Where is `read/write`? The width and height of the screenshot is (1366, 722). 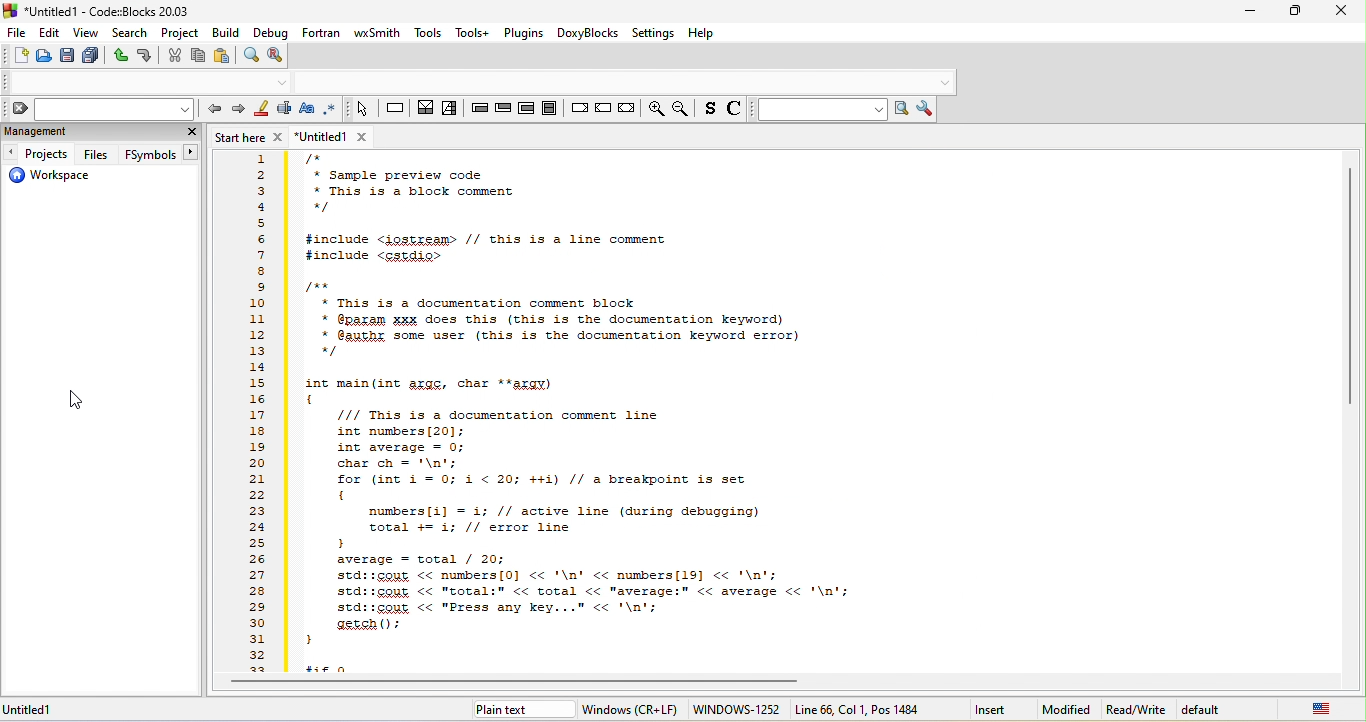
read/write is located at coordinates (1136, 710).